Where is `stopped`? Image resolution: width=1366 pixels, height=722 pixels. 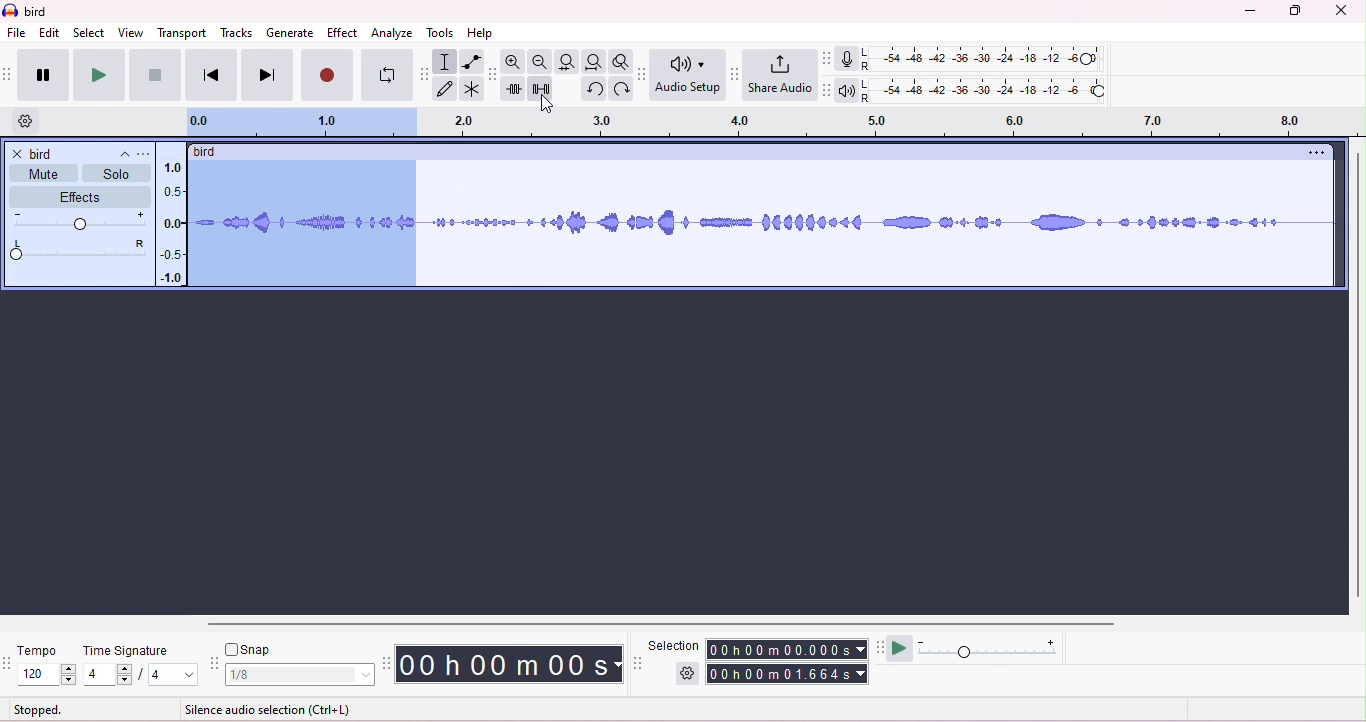 stopped is located at coordinates (38, 711).